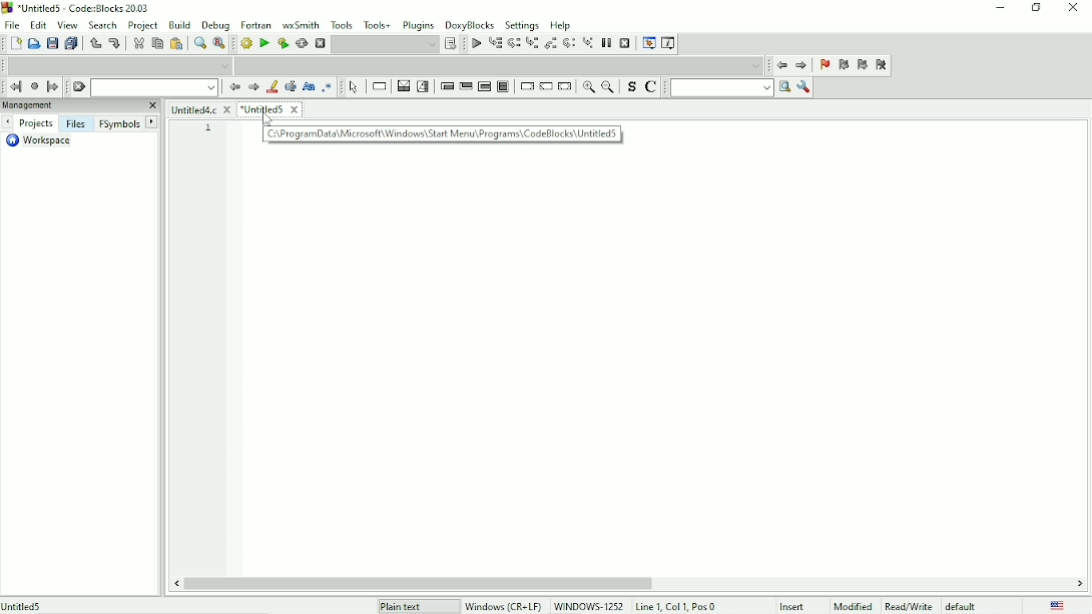 The height and width of the screenshot is (614, 1092). Describe the element at coordinates (79, 87) in the screenshot. I see `Clear` at that location.